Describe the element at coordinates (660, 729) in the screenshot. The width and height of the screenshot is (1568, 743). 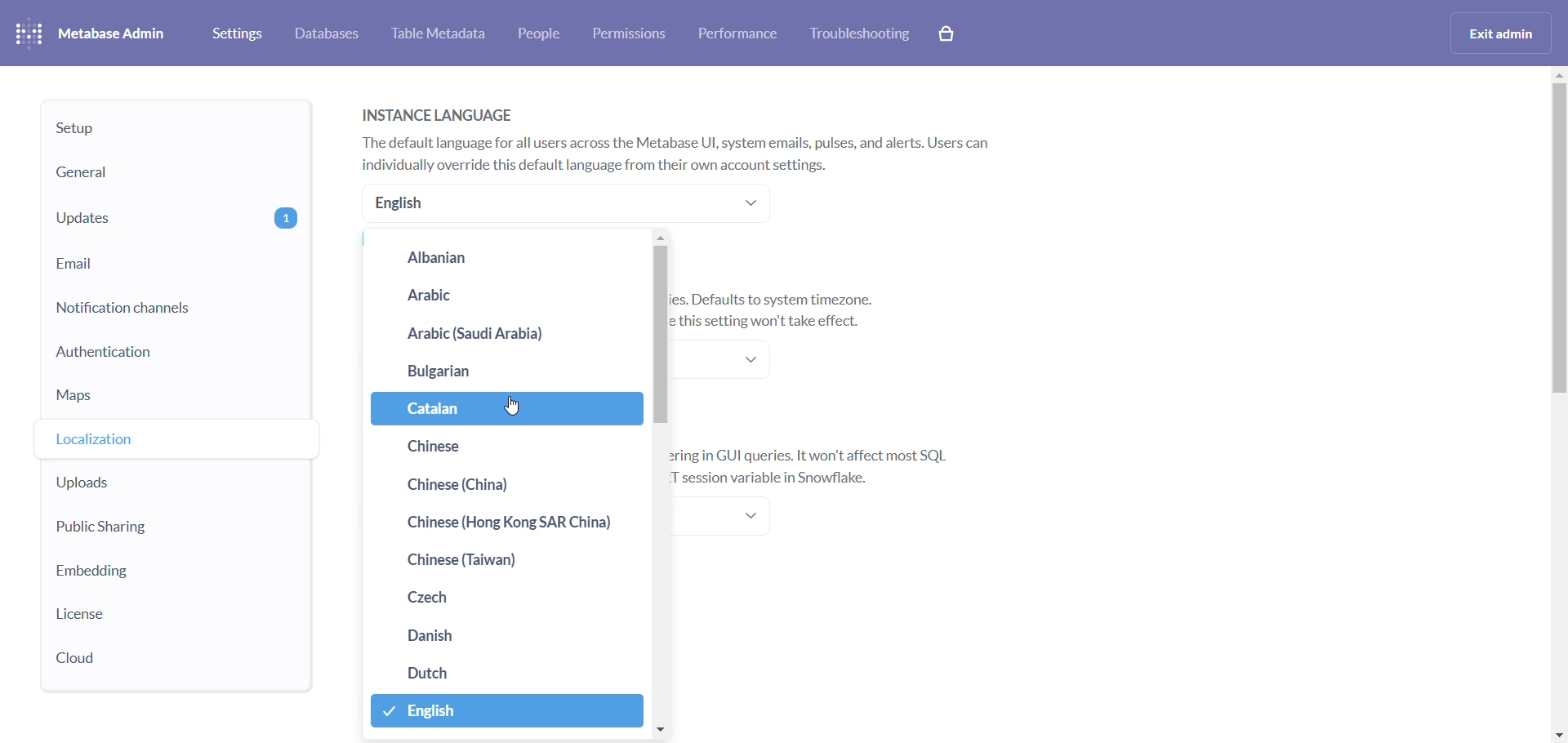
I see `move down` at that location.